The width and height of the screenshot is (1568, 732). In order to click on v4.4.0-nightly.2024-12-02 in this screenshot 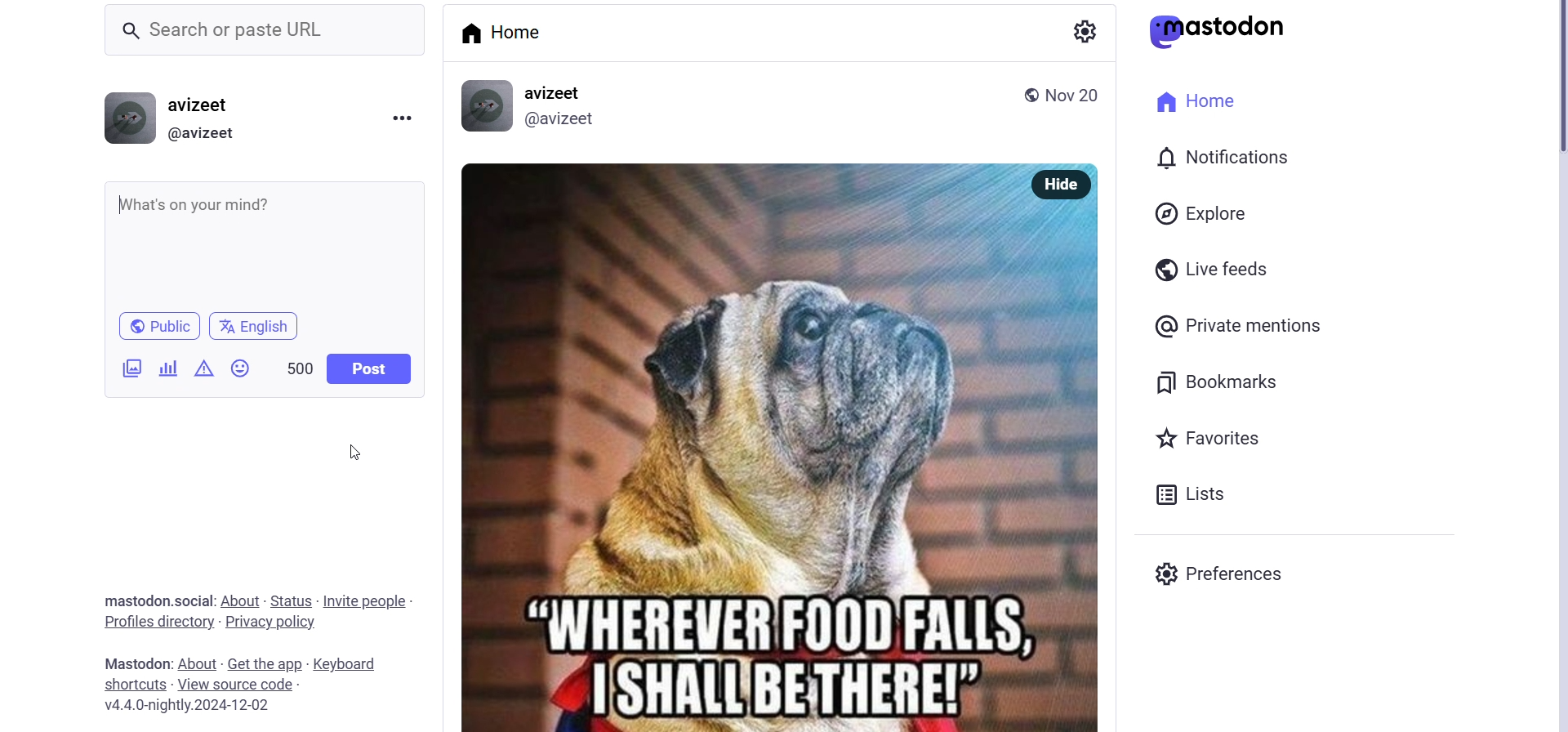, I will do `click(192, 707)`.